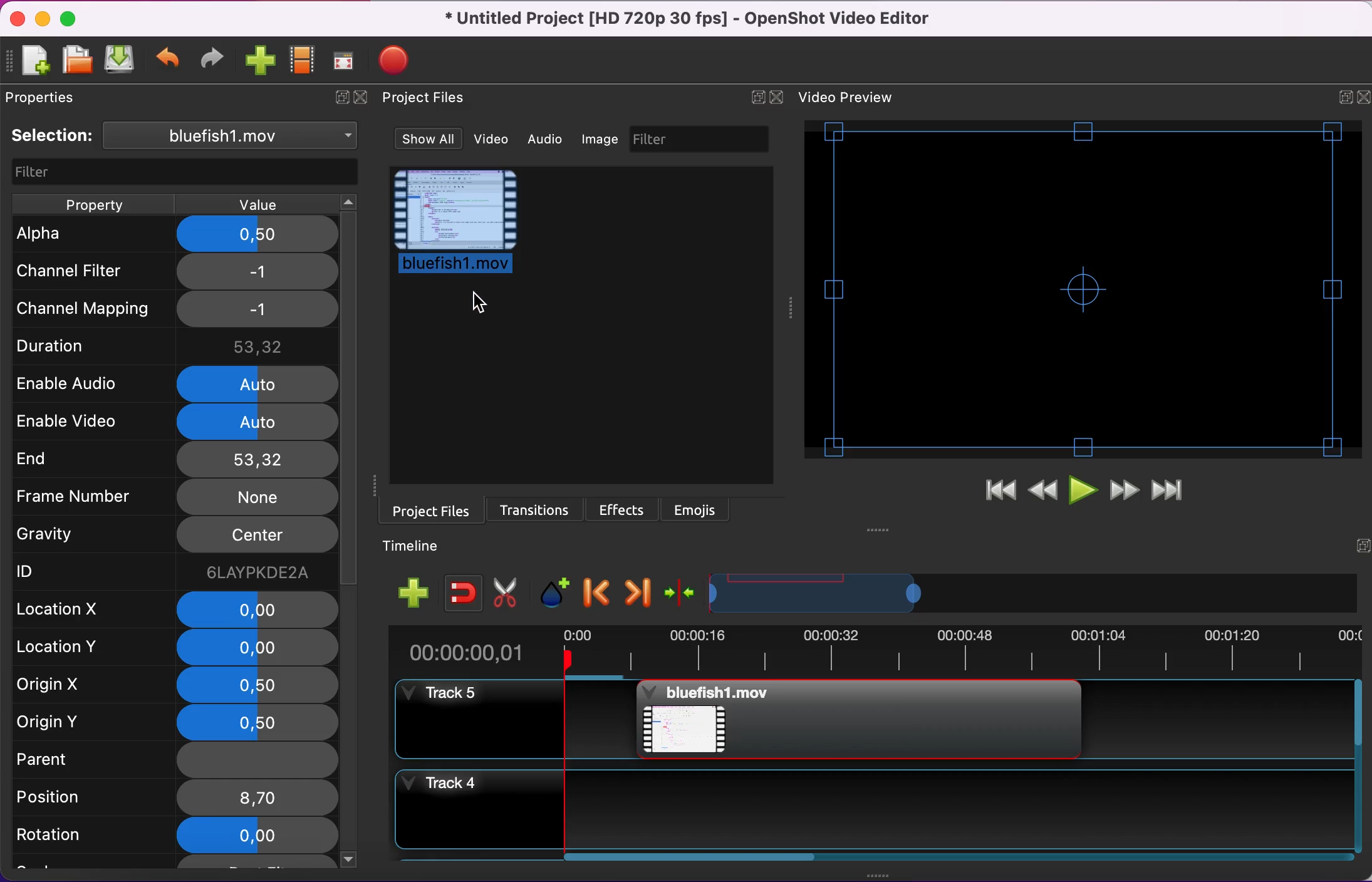 Image resolution: width=1372 pixels, height=882 pixels. I want to click on track 5, so click(510, 720).